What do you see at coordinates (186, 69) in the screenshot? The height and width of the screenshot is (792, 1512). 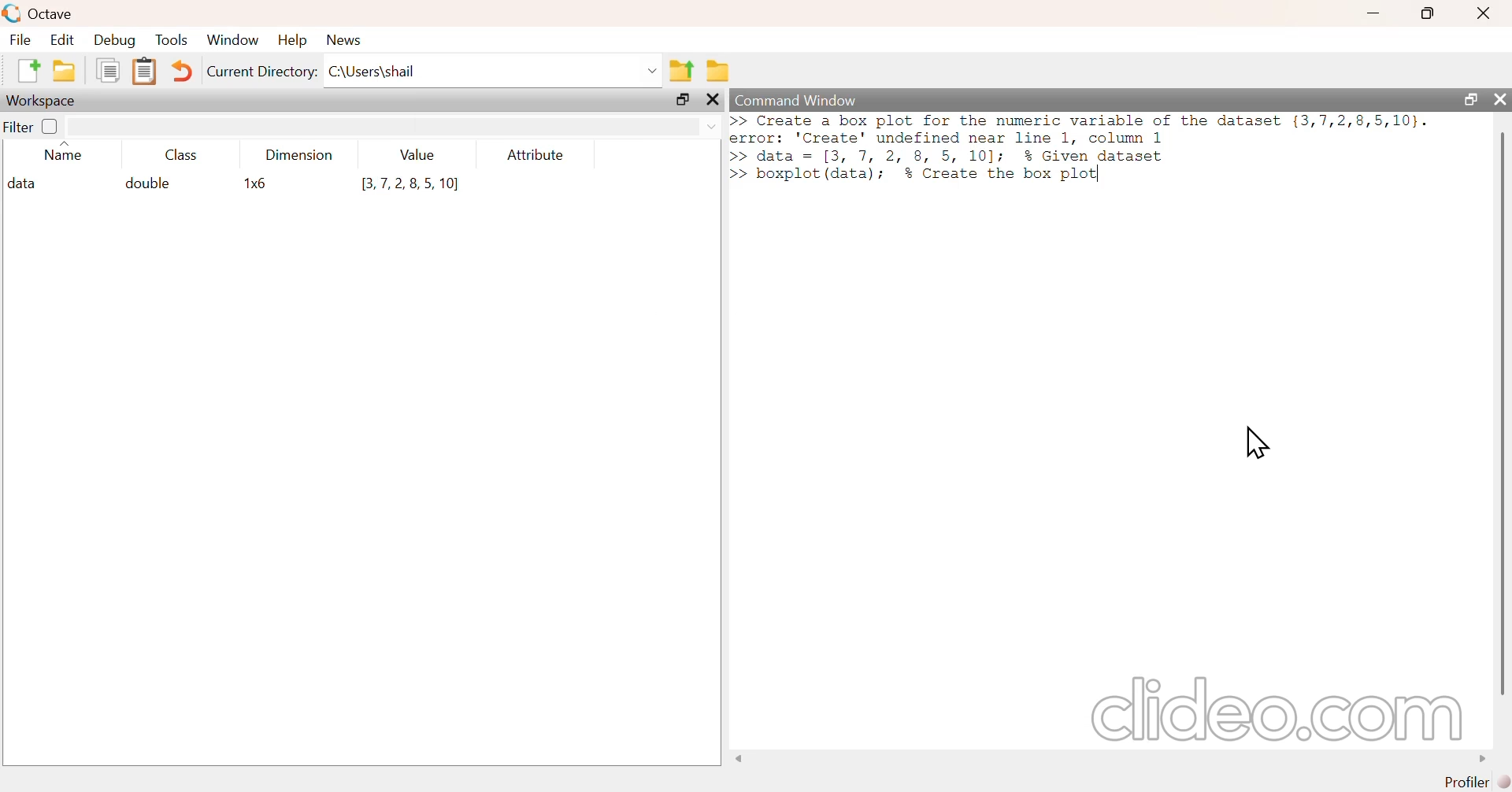 I see `undo` at bounding box center [186, 69].